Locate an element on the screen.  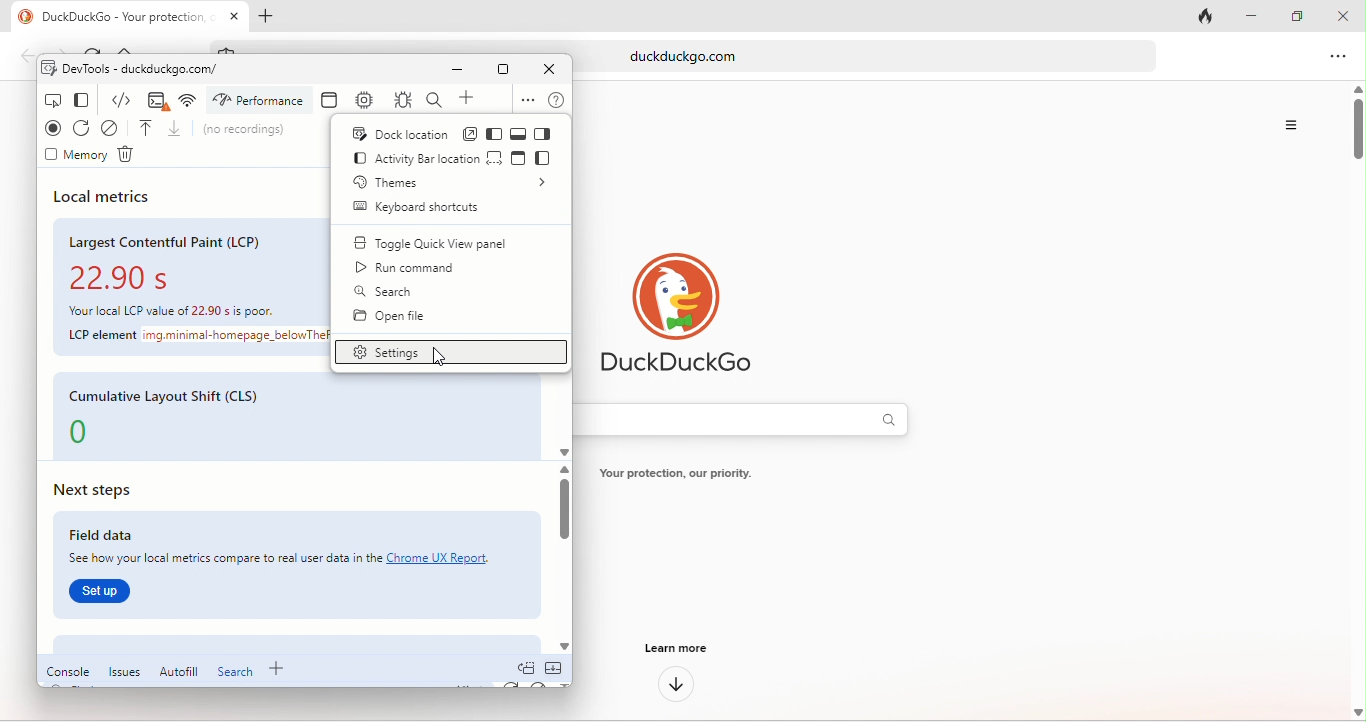
scroll down is located at coordinates (561, 645).